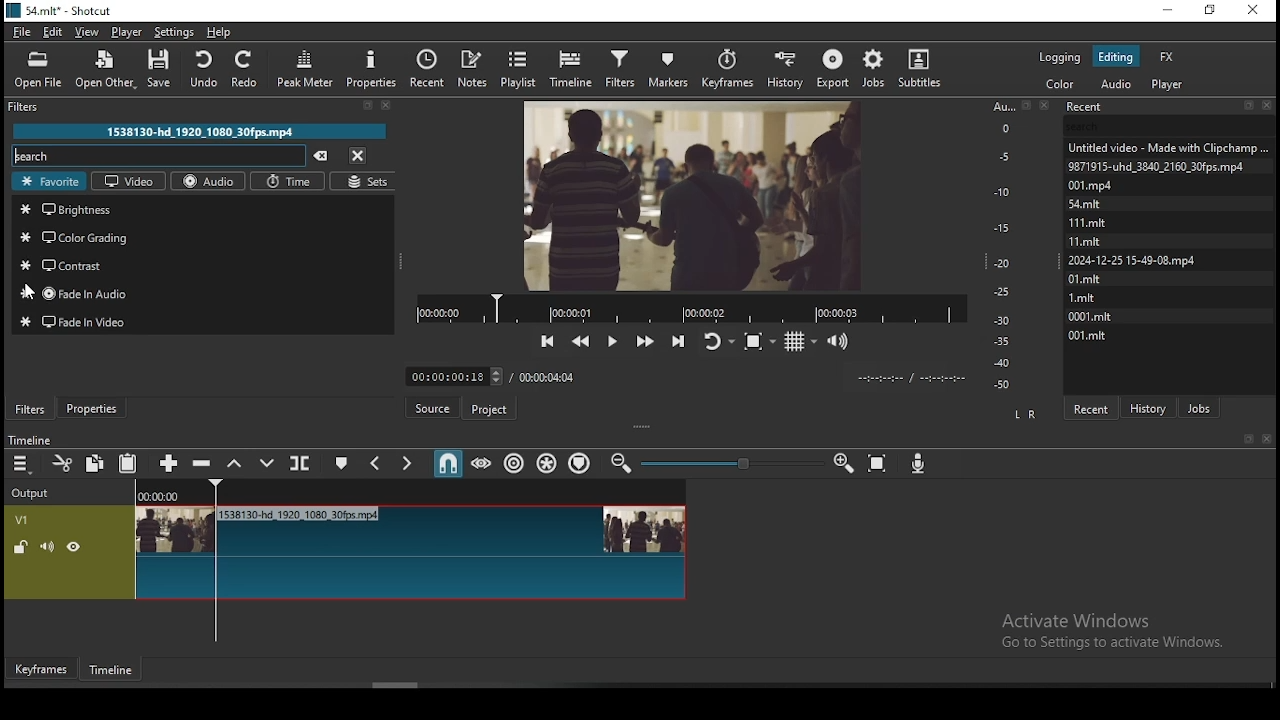  What do you see at coordinates (1211, 11) in the screenshot?
I see `restore` at bounding box center [1211, 11].